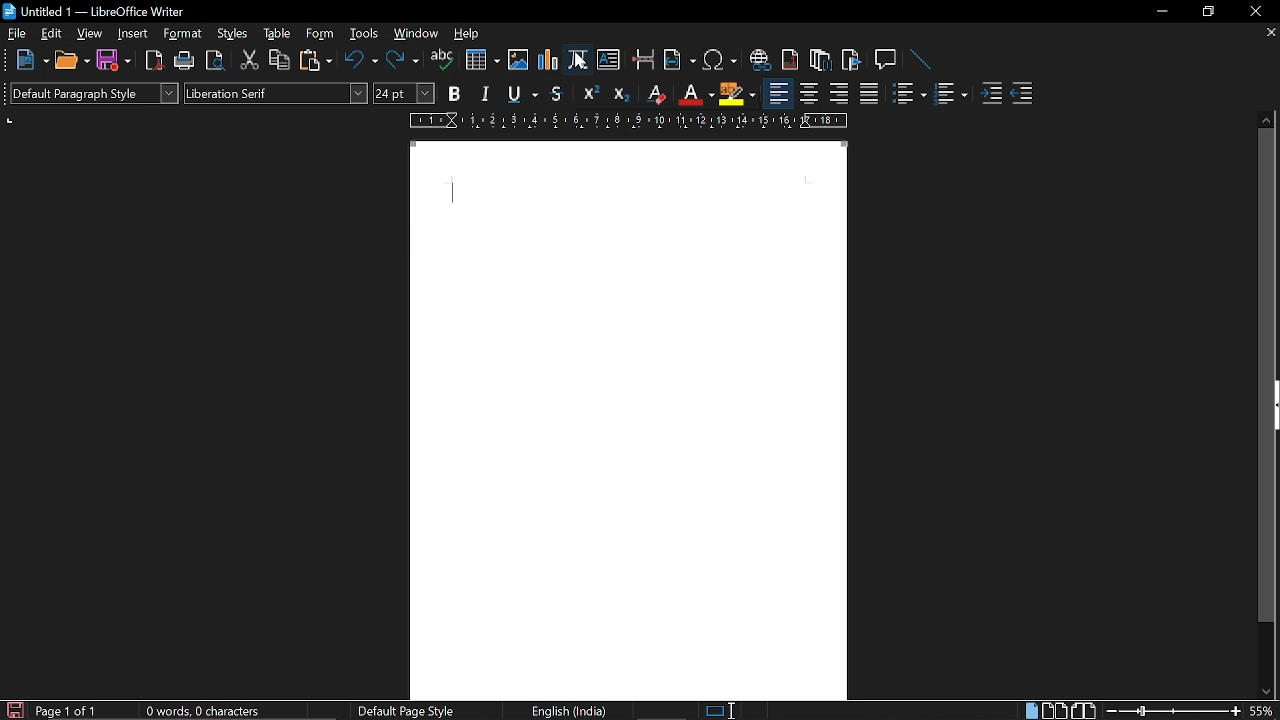  What do you see at coordinates (101, 93) in the screenshot?
I see `paragraph style` at bounding box center [101, 93].